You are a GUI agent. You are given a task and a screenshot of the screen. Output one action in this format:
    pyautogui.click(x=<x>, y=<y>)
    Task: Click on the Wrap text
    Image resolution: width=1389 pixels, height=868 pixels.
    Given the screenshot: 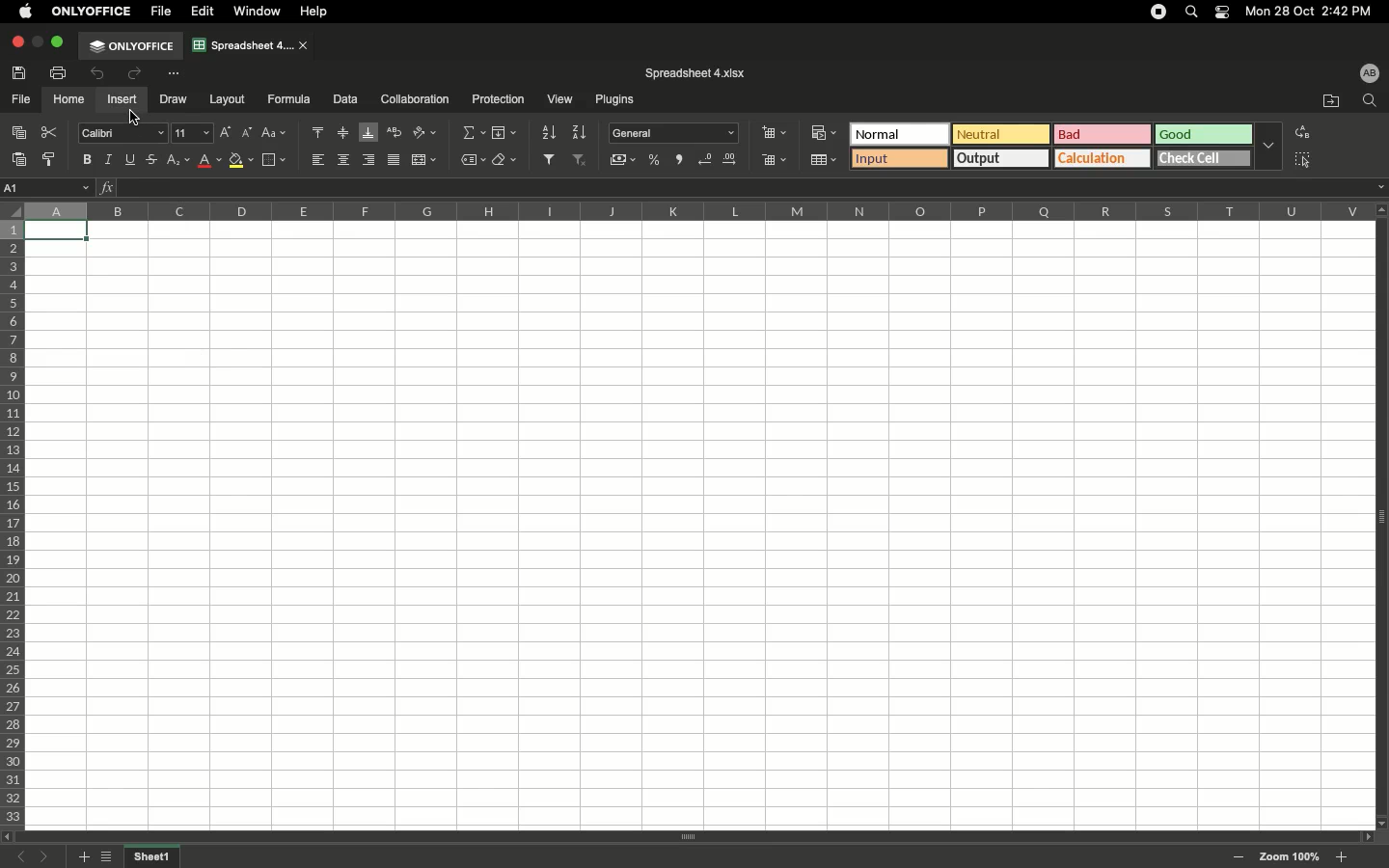 What is the action you would take?
    pyautogui.click(x=395, y=132)
    